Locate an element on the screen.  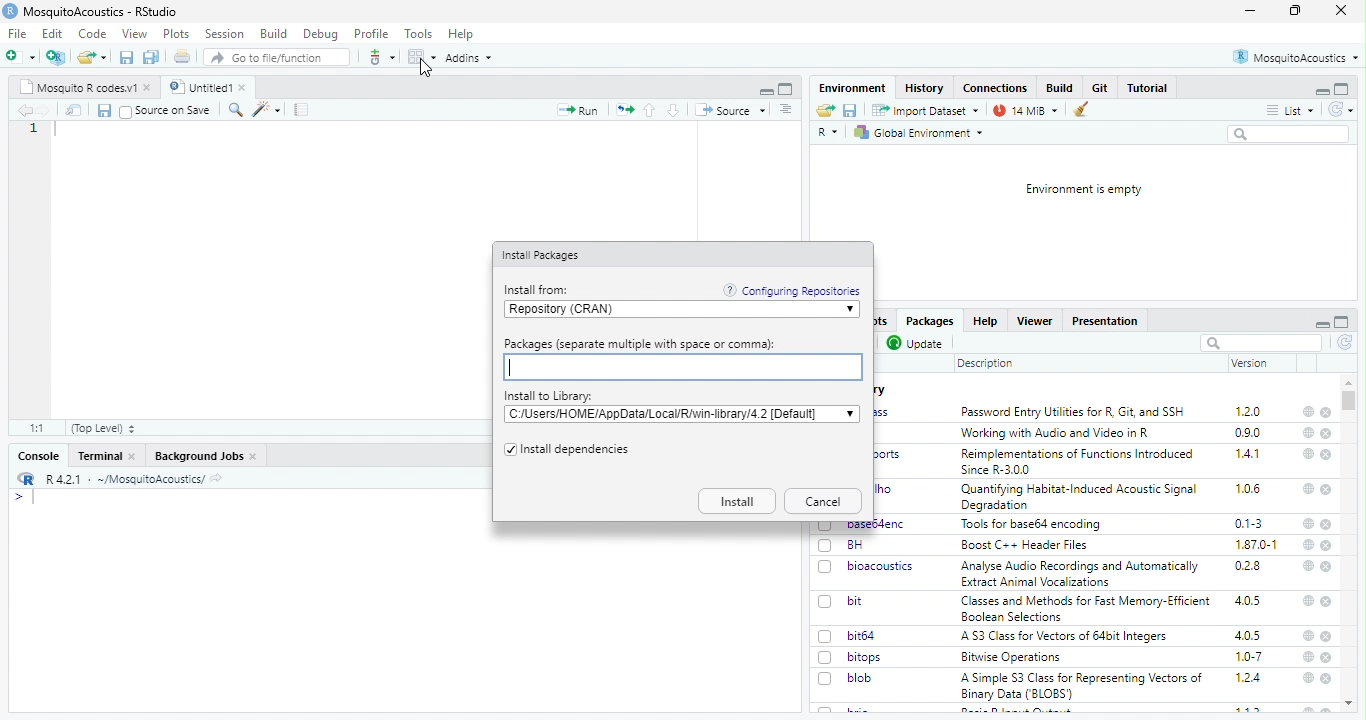
web is located at coordinates (1309, 600).